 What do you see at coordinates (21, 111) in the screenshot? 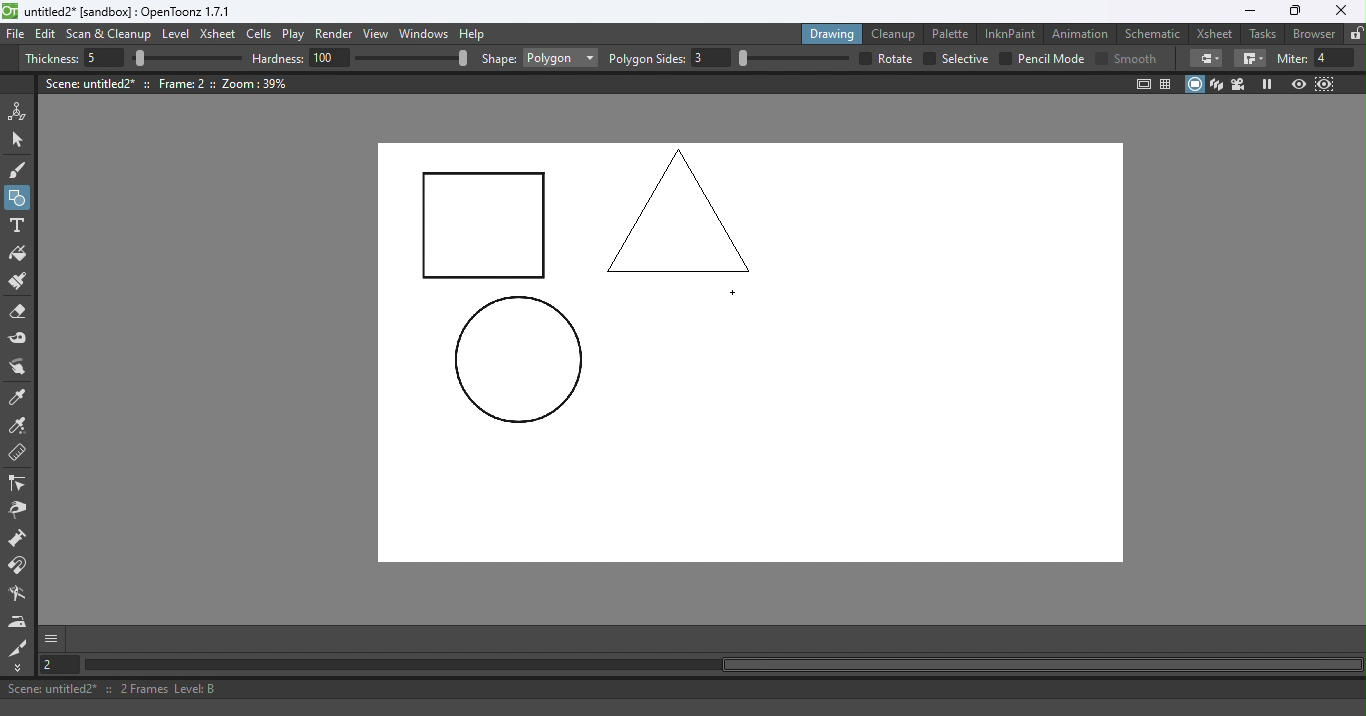
I see `Animate tool` at bounding box center [21, 111].